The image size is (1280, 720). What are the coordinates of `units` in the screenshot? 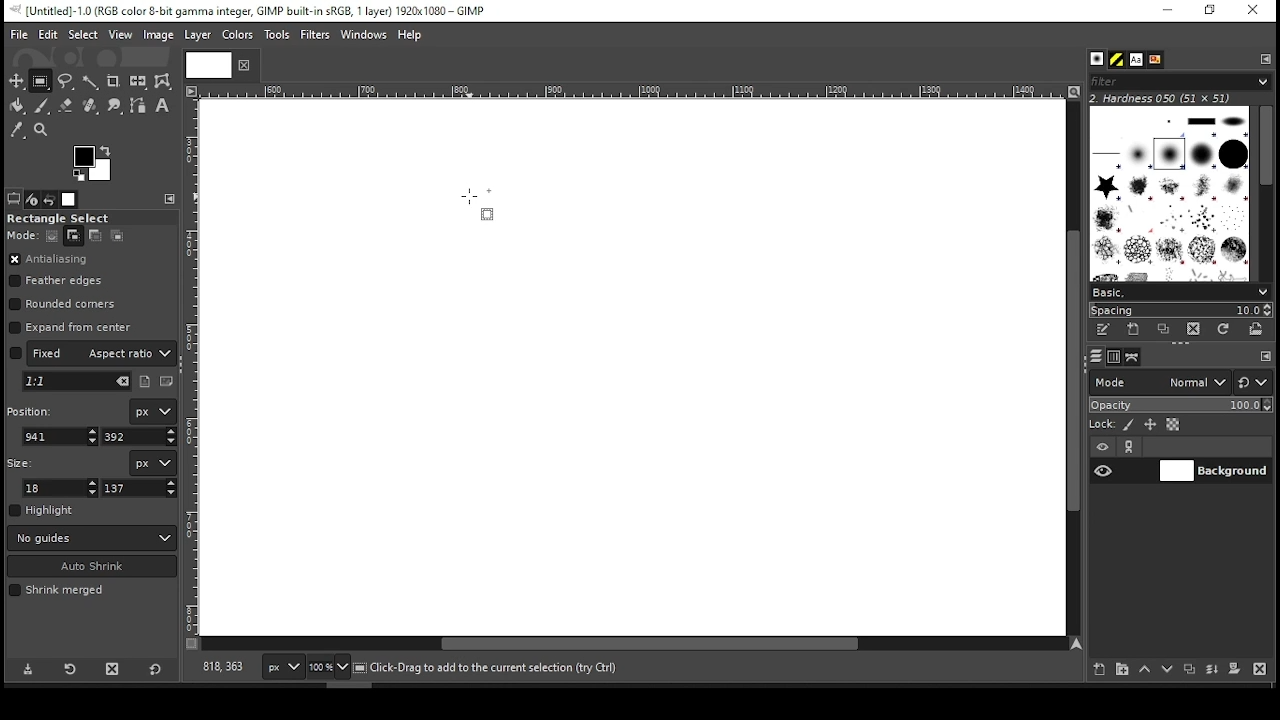 It's located at (152, 463).